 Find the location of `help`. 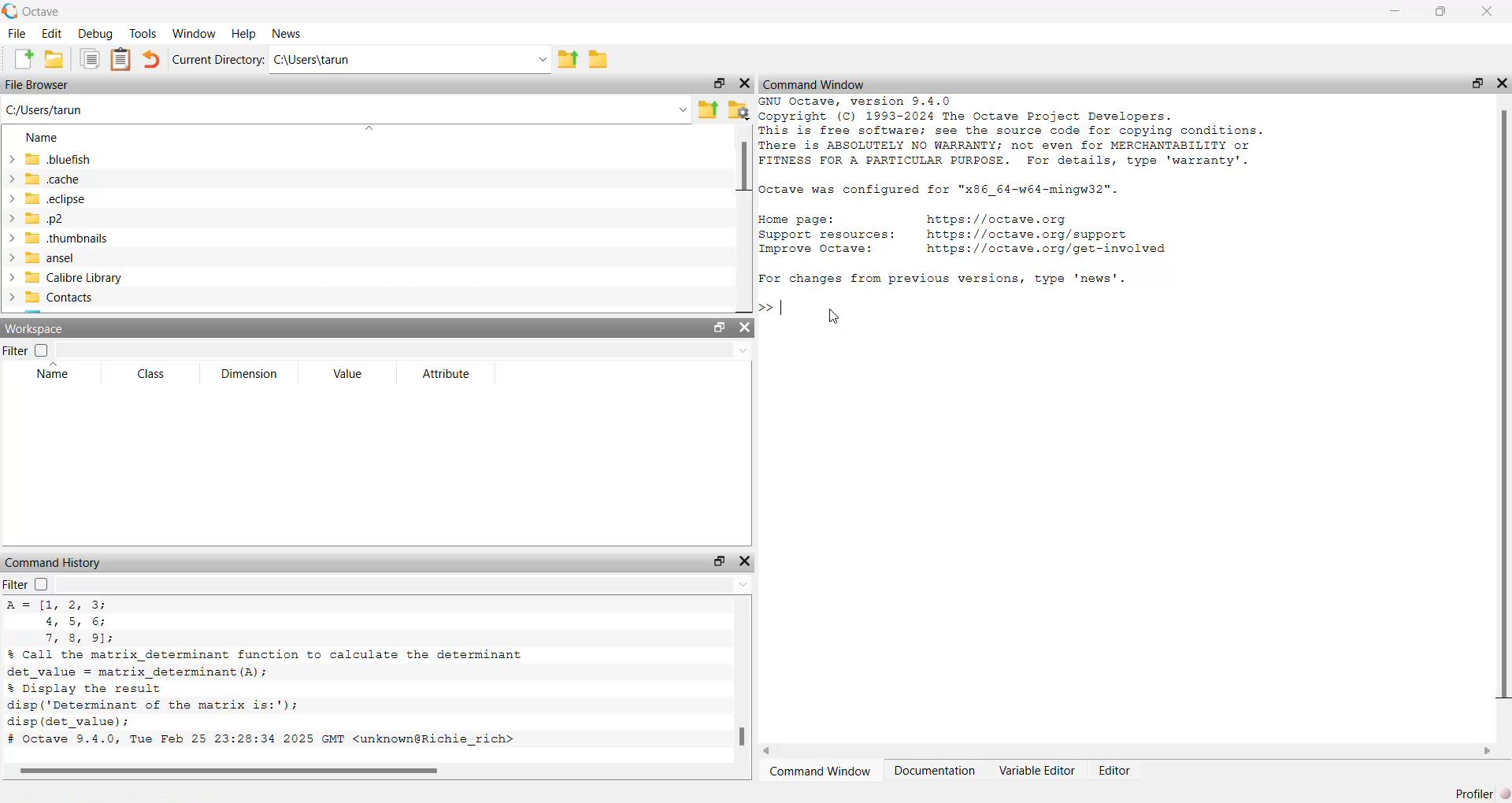

help is located at coordinates (244, 32).